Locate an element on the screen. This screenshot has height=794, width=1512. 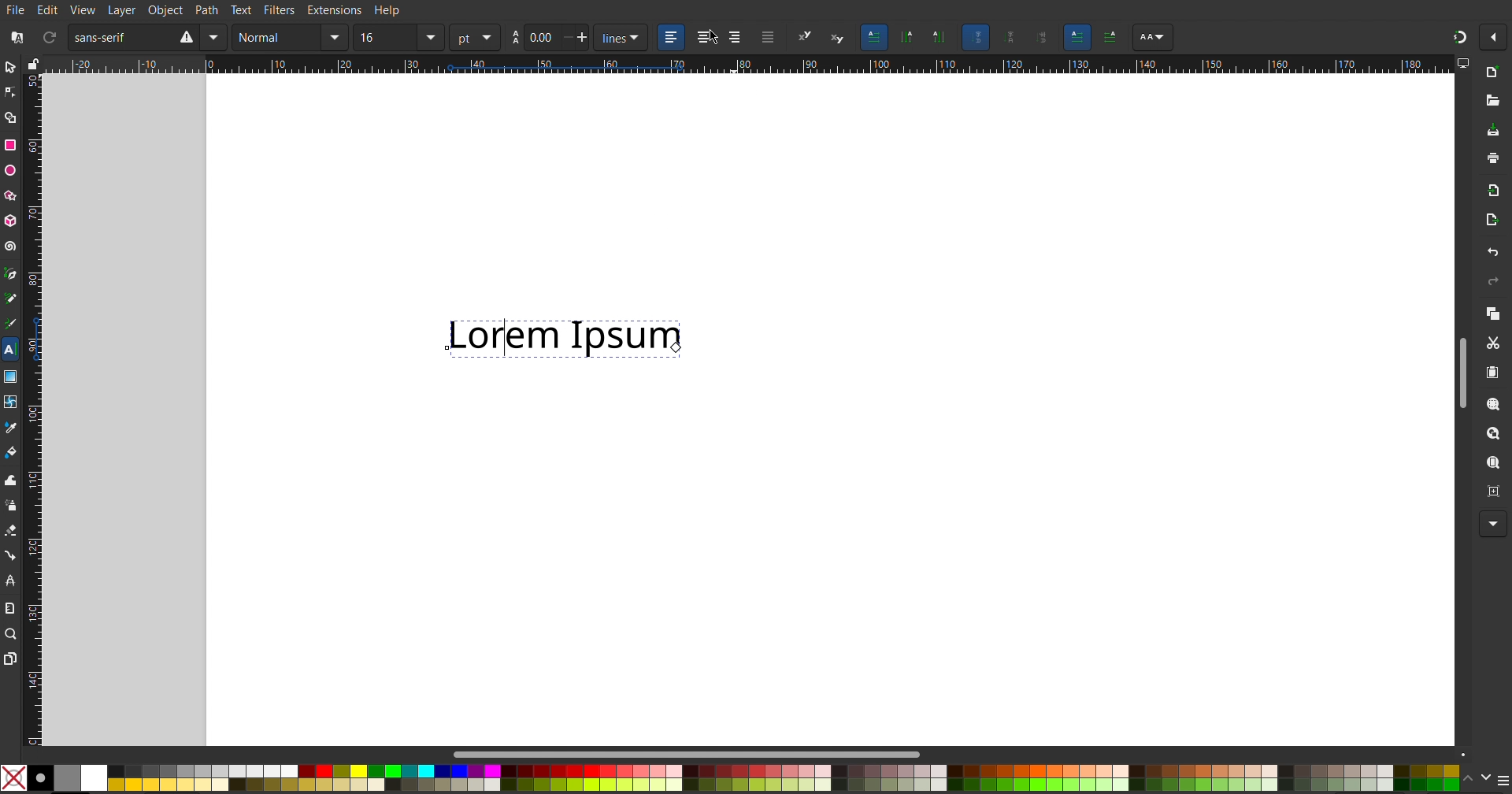
Zoom Tool is located at coordinates (11, 634).